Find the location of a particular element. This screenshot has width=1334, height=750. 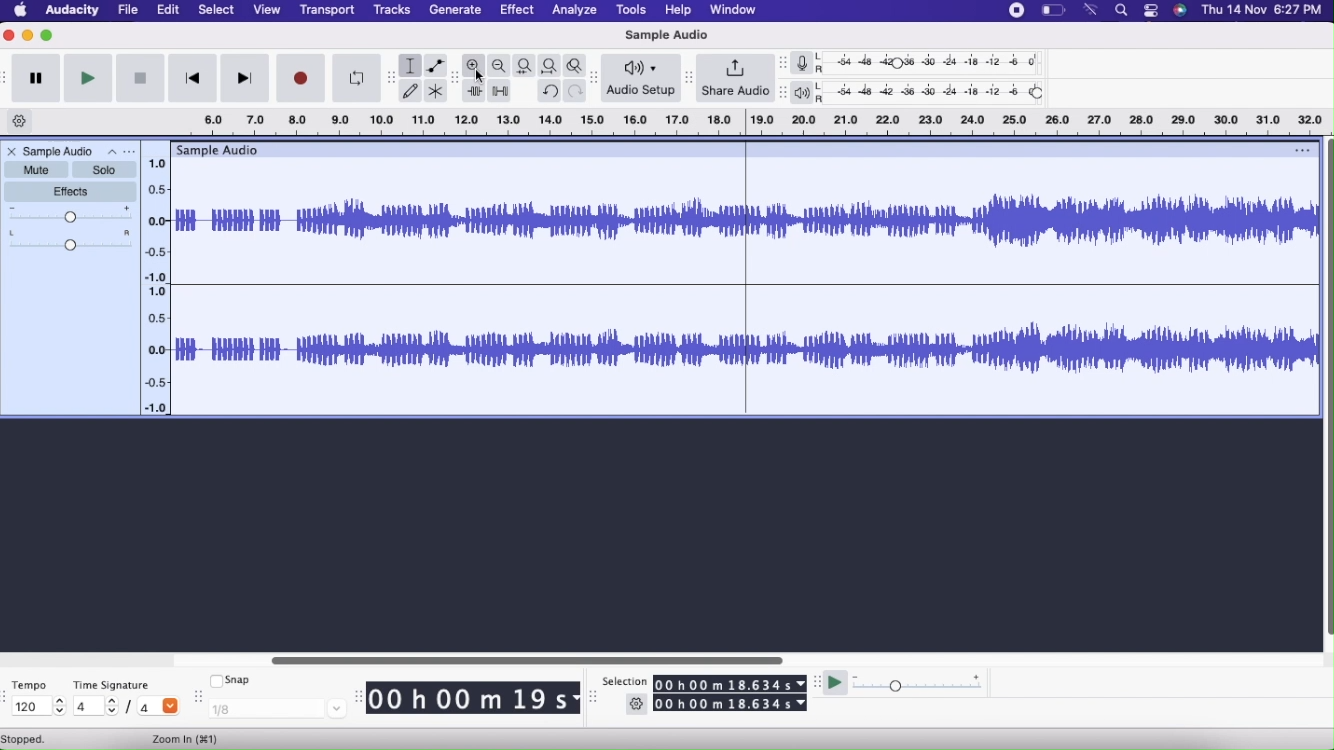

Timeline slider is located at coordinates (157, 281).